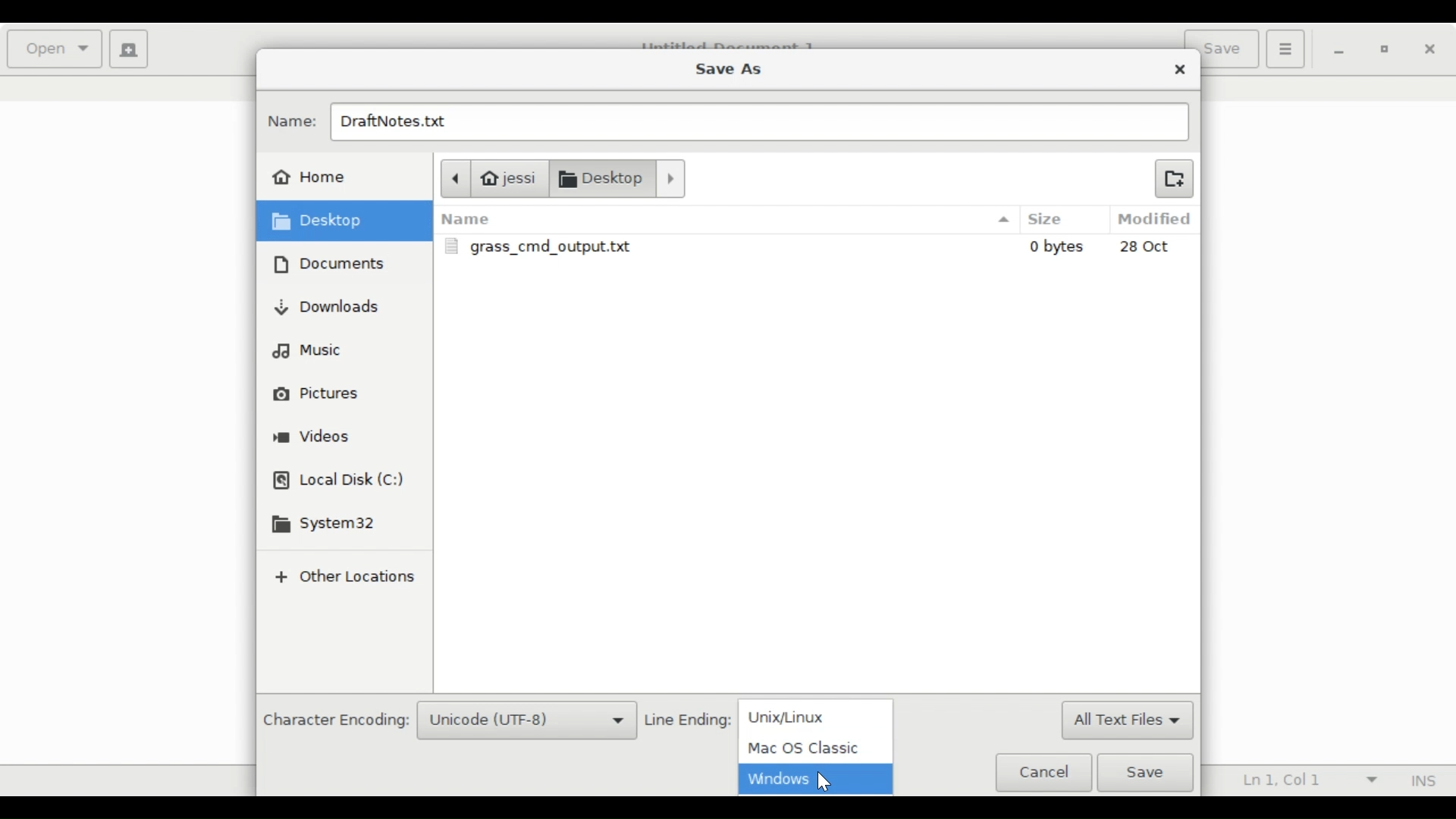 This screenshot has width=1456, height=819. Describe the element at coordinates (624, 178) in the screenshot. I see `Documents` at that location.